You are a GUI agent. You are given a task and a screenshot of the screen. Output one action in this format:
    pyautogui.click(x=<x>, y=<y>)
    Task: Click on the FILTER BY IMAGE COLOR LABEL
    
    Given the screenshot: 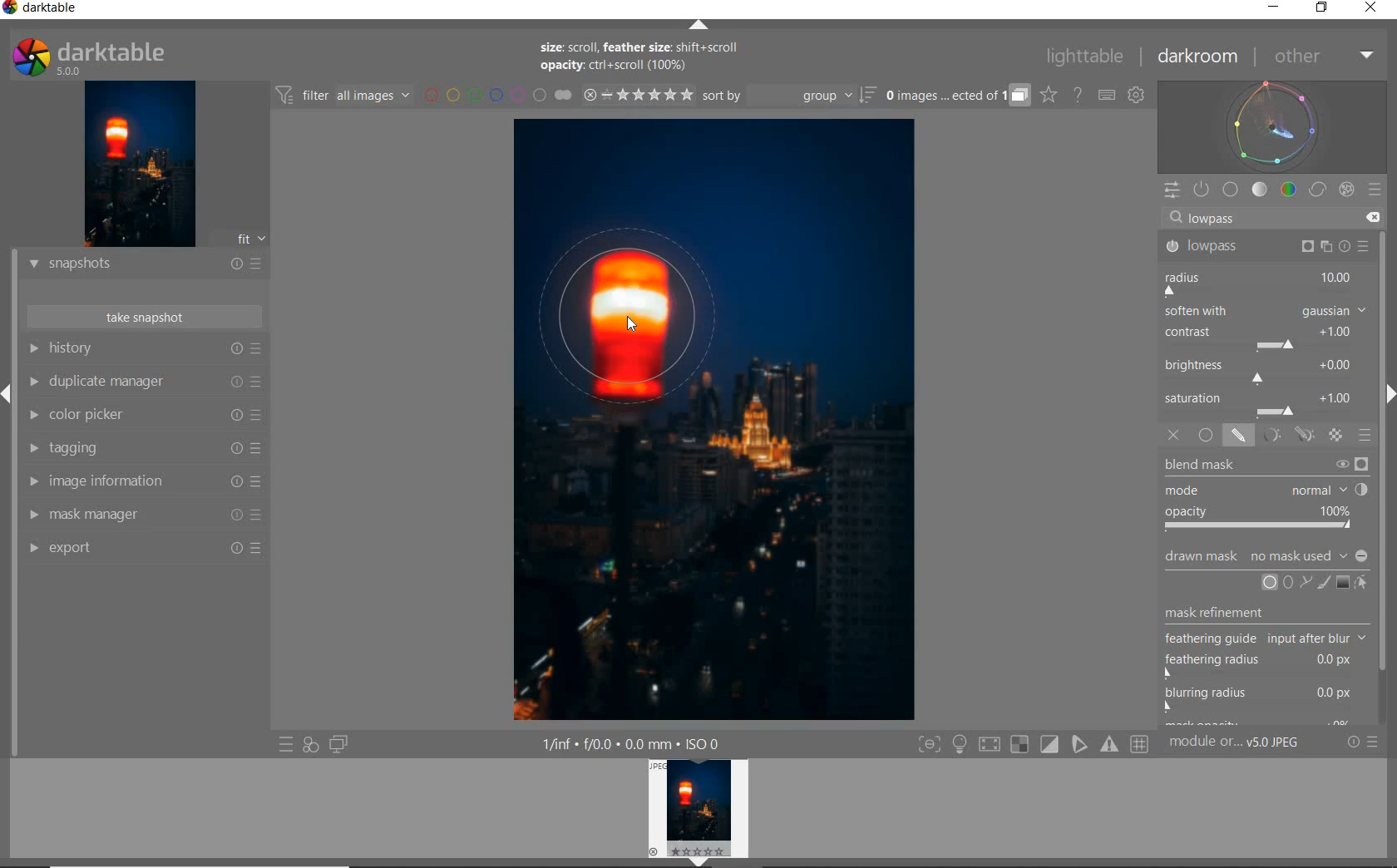 What is the action you would take?
    pyautogui.click(x=498, y=96)
    